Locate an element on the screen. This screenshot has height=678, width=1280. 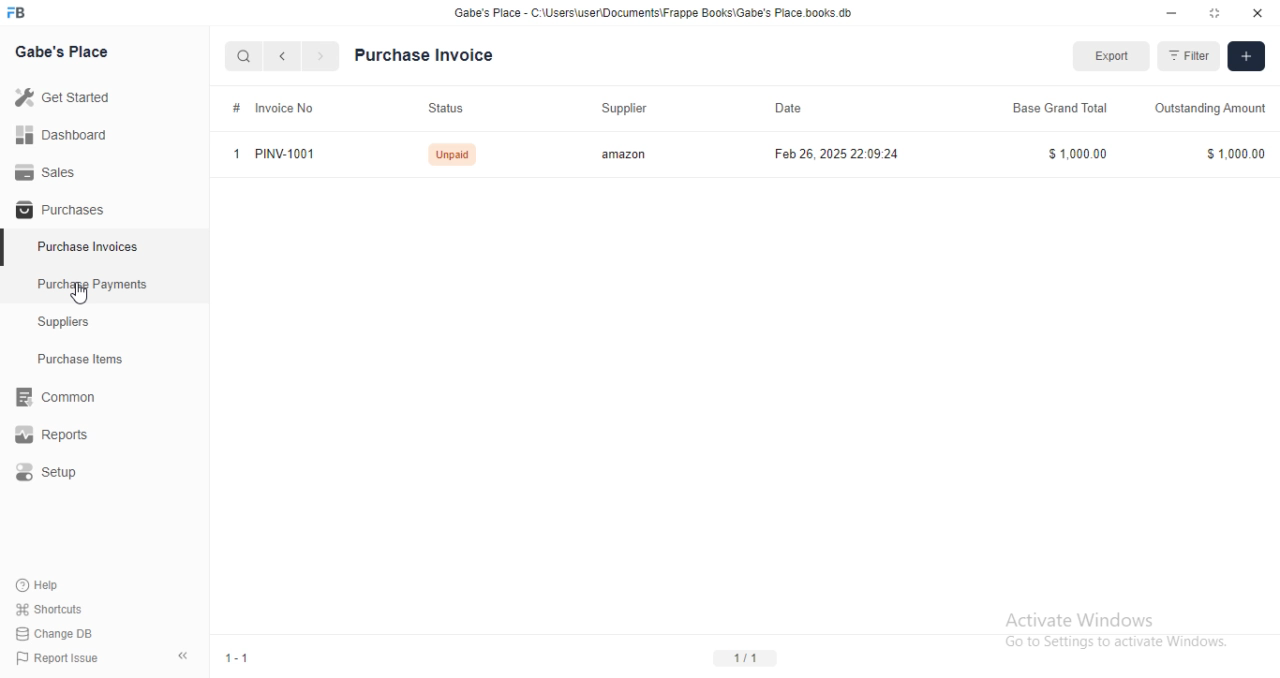
selected is located at coordinates (8, 251).